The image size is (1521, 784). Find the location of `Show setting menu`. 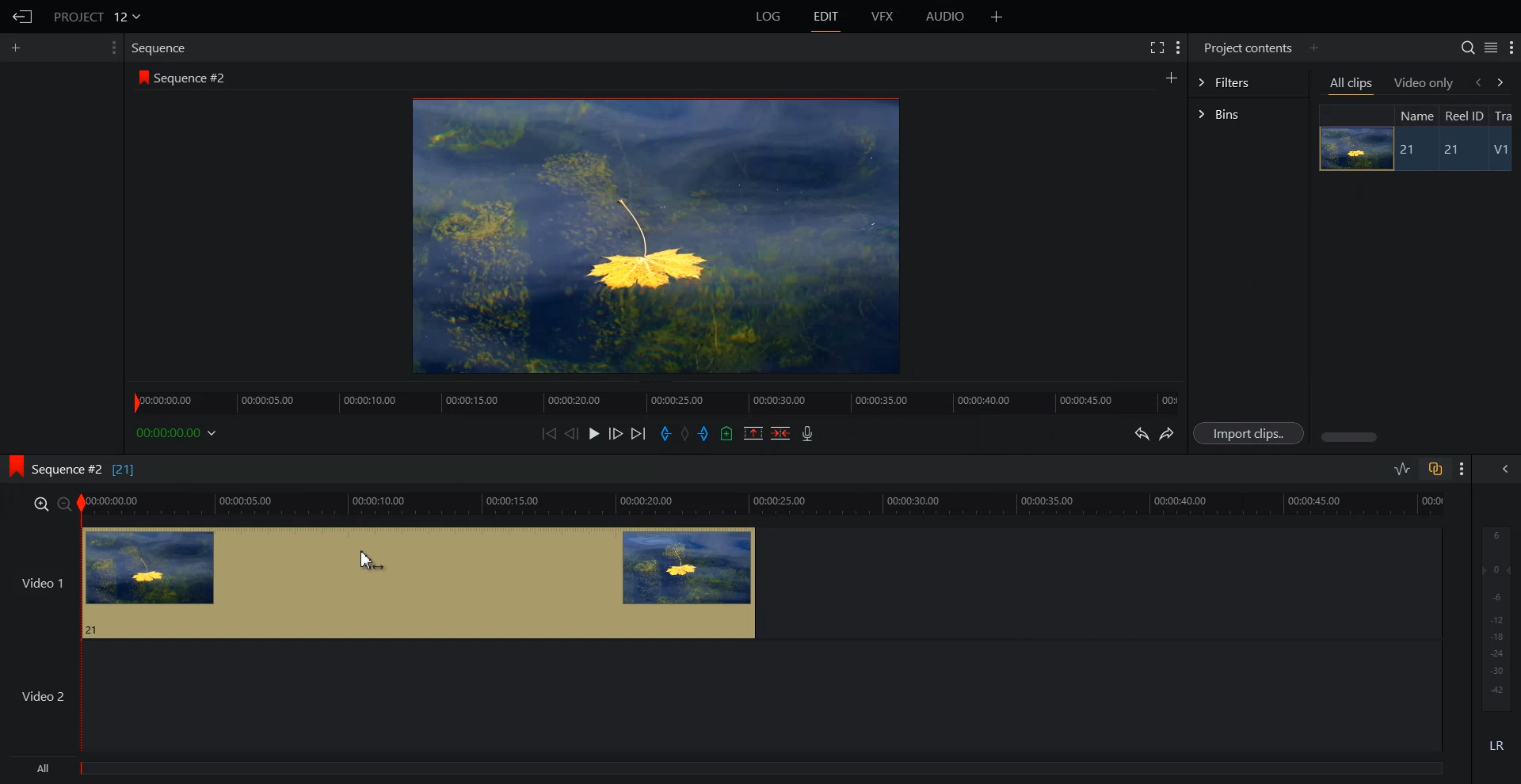

Show setting menu is located at coordinates (1178, 48).